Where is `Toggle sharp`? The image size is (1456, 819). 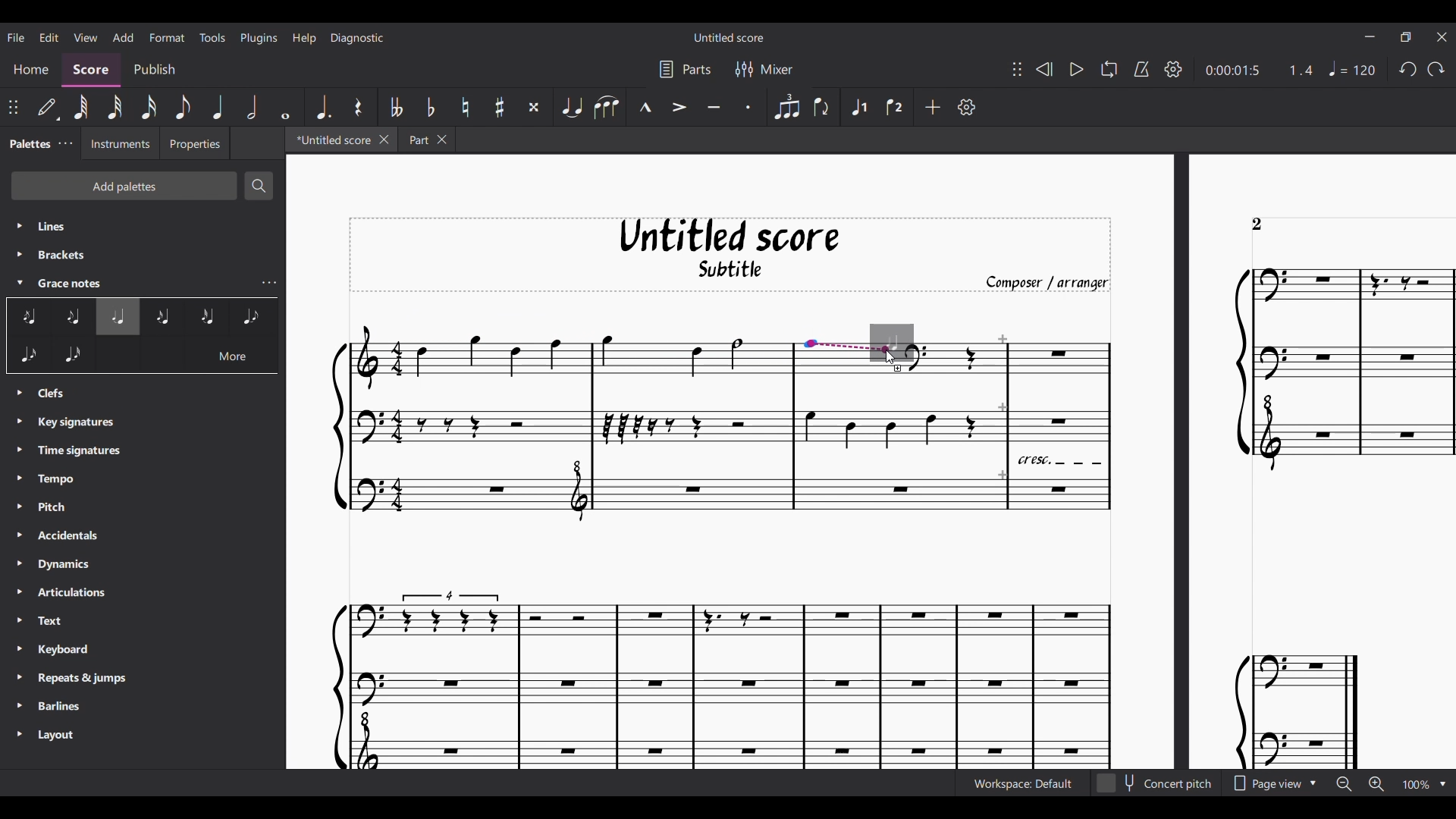
Toggle sharp is located at coordinates (499, 108).